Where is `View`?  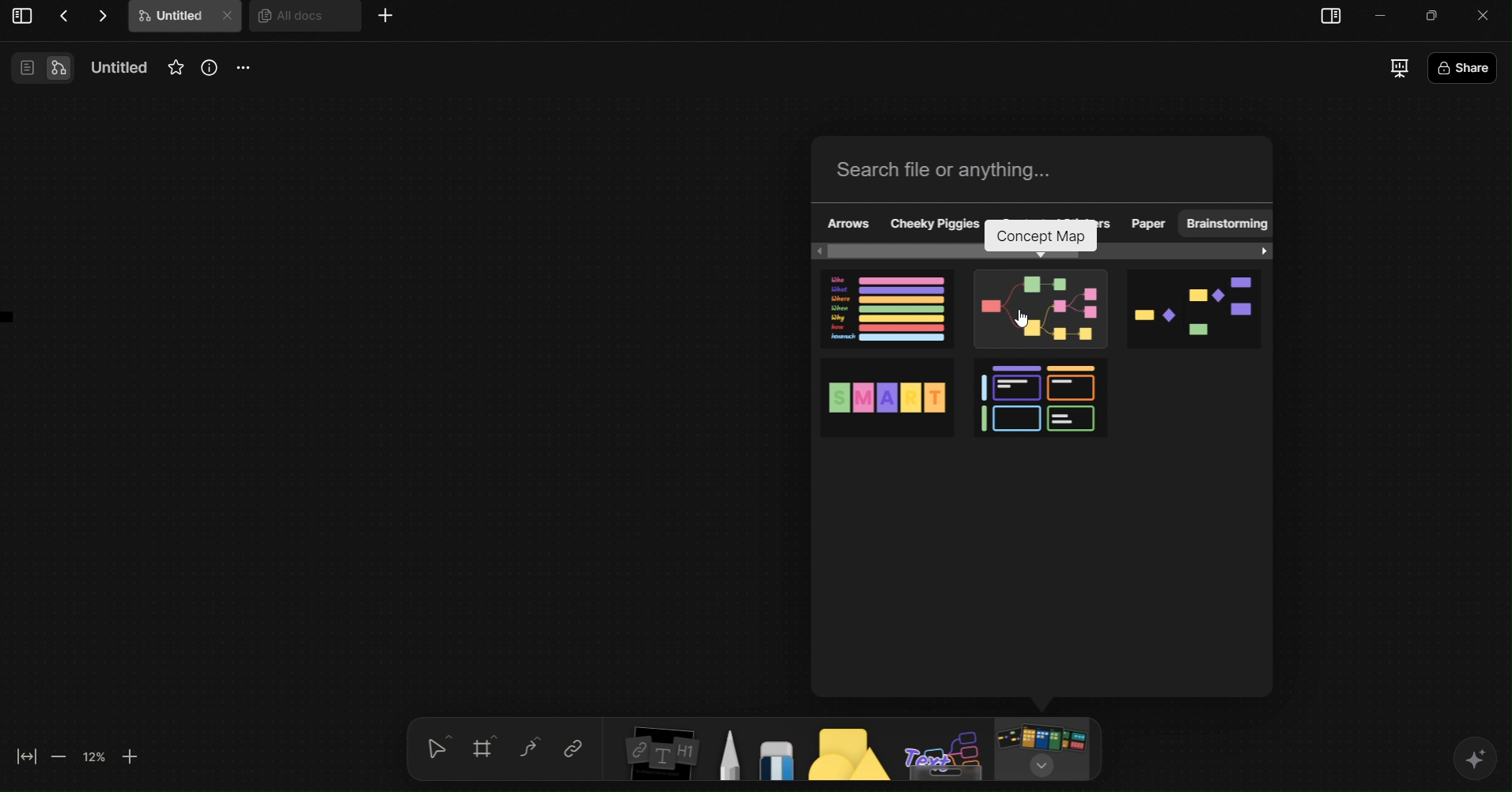
View is located at coordinates (40, 67).